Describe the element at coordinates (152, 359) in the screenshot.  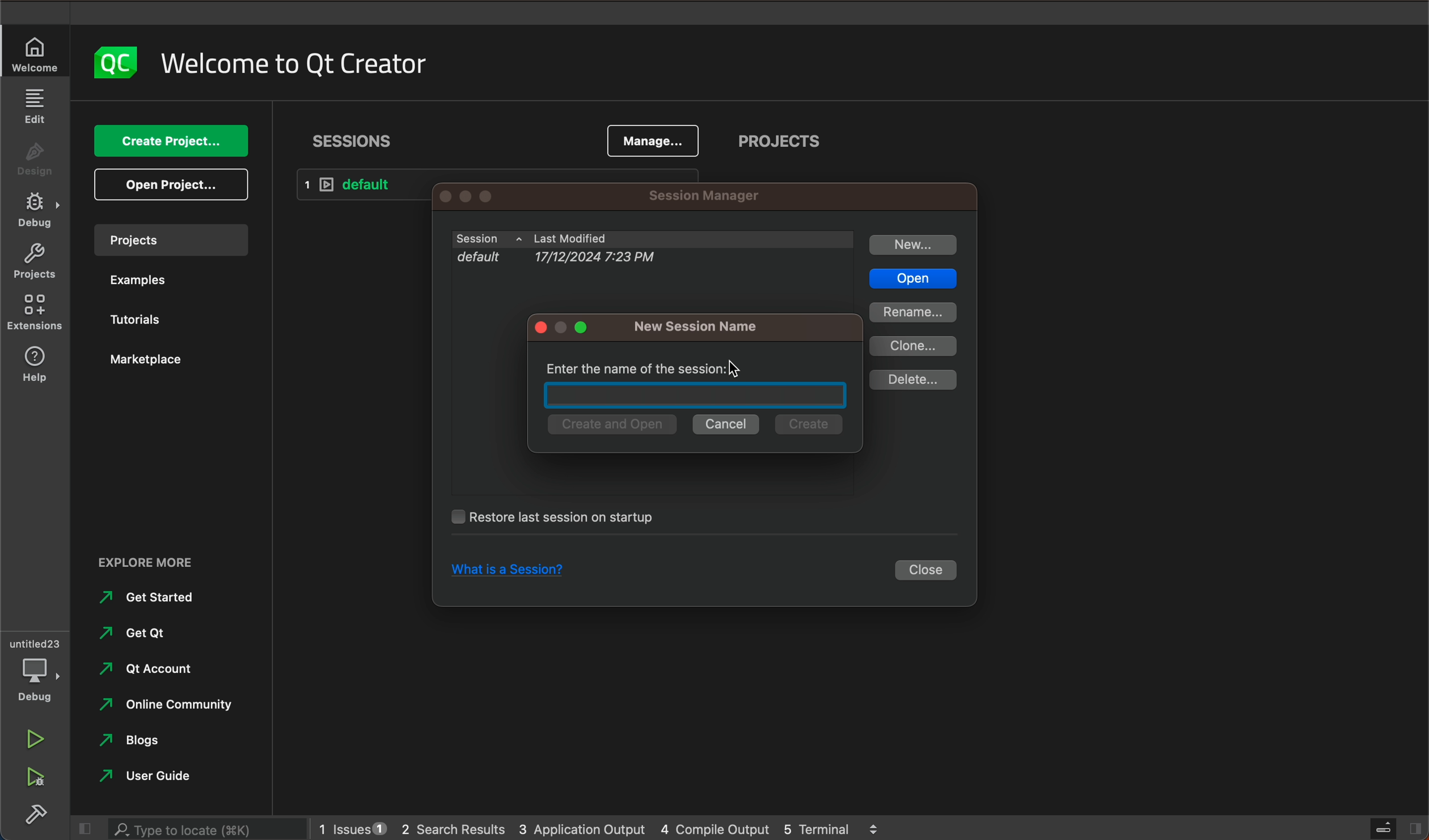
I see `marketplace` at that location.